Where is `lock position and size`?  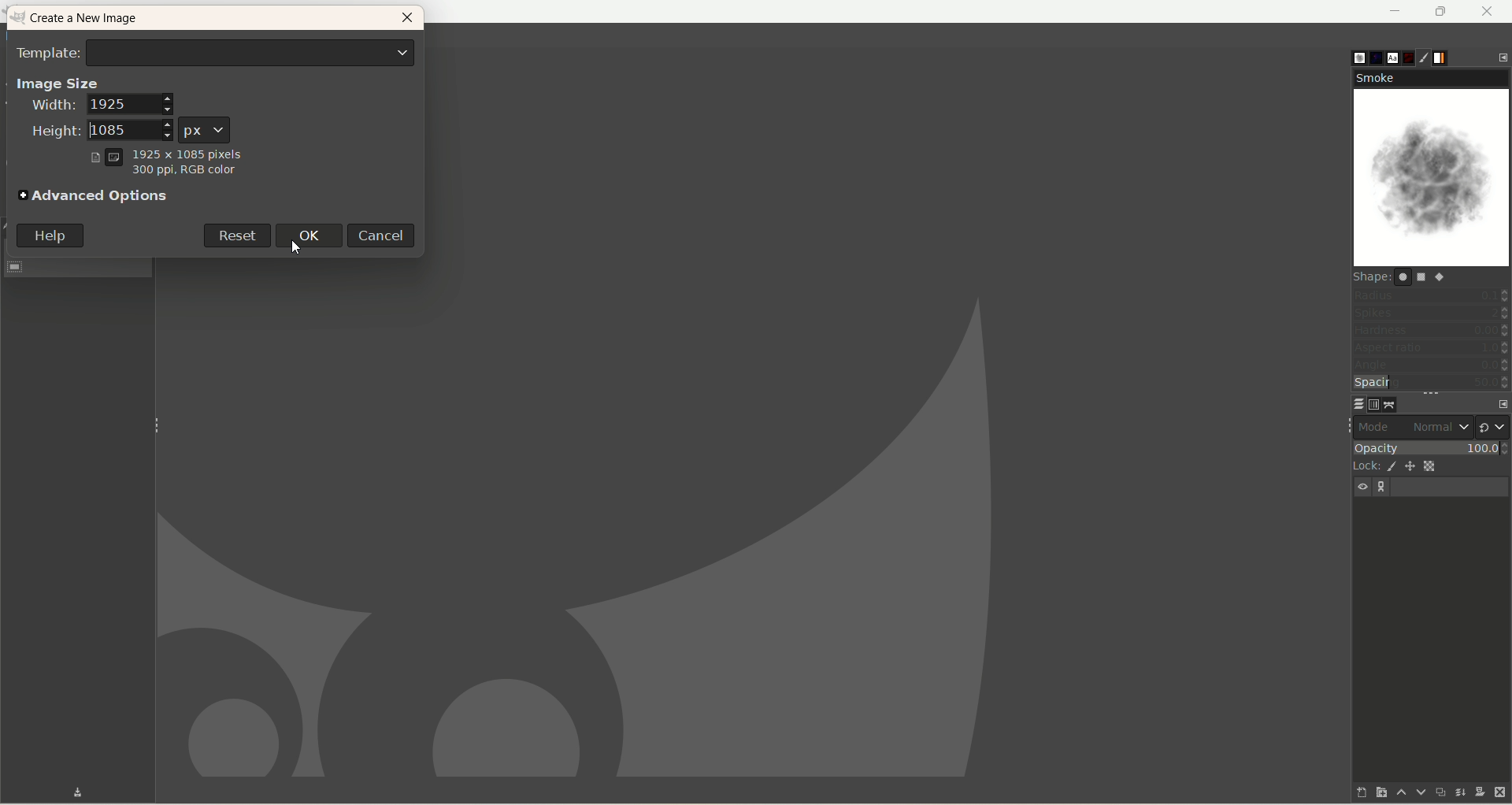 lock position and size is located at coordinates (1411, 469).